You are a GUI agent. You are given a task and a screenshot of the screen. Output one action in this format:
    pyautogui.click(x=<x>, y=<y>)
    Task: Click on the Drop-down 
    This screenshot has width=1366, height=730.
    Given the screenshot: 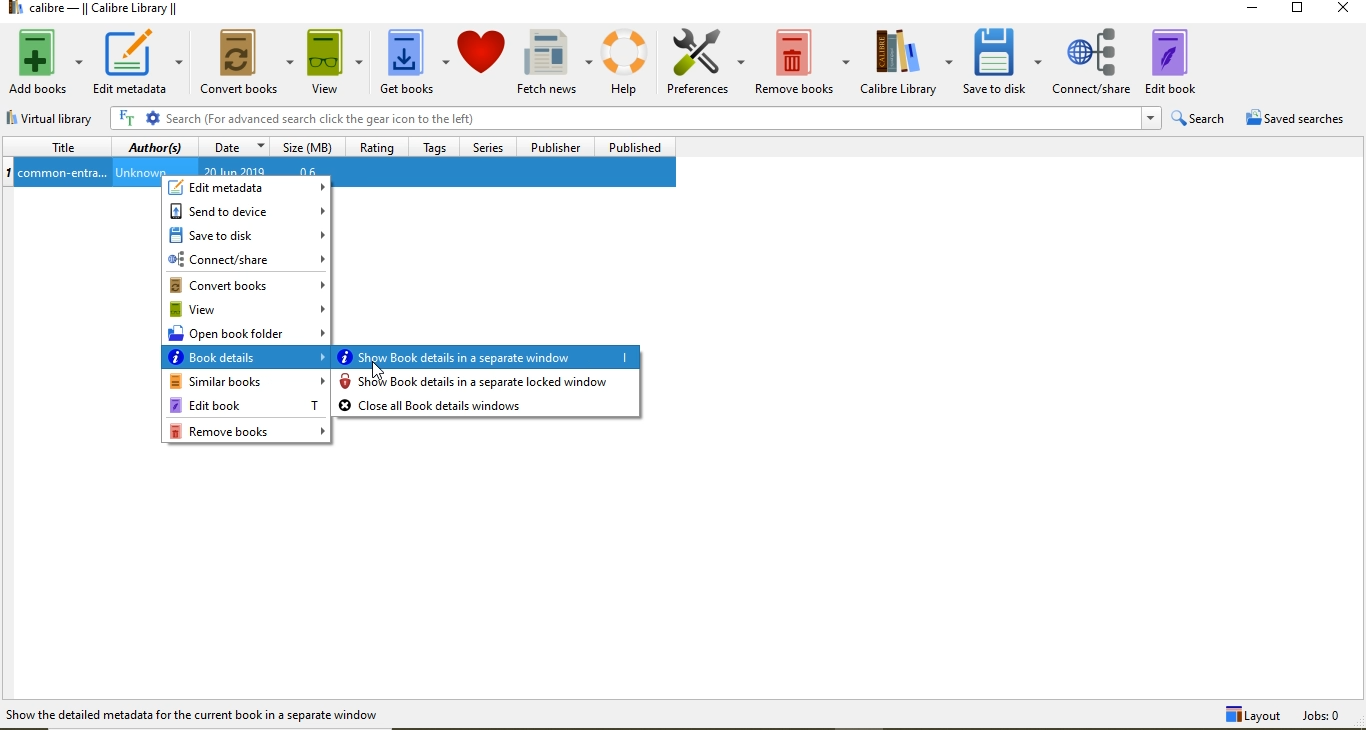 What is the action you would take?
    pyautogui.click(x=1150, y=118)
    